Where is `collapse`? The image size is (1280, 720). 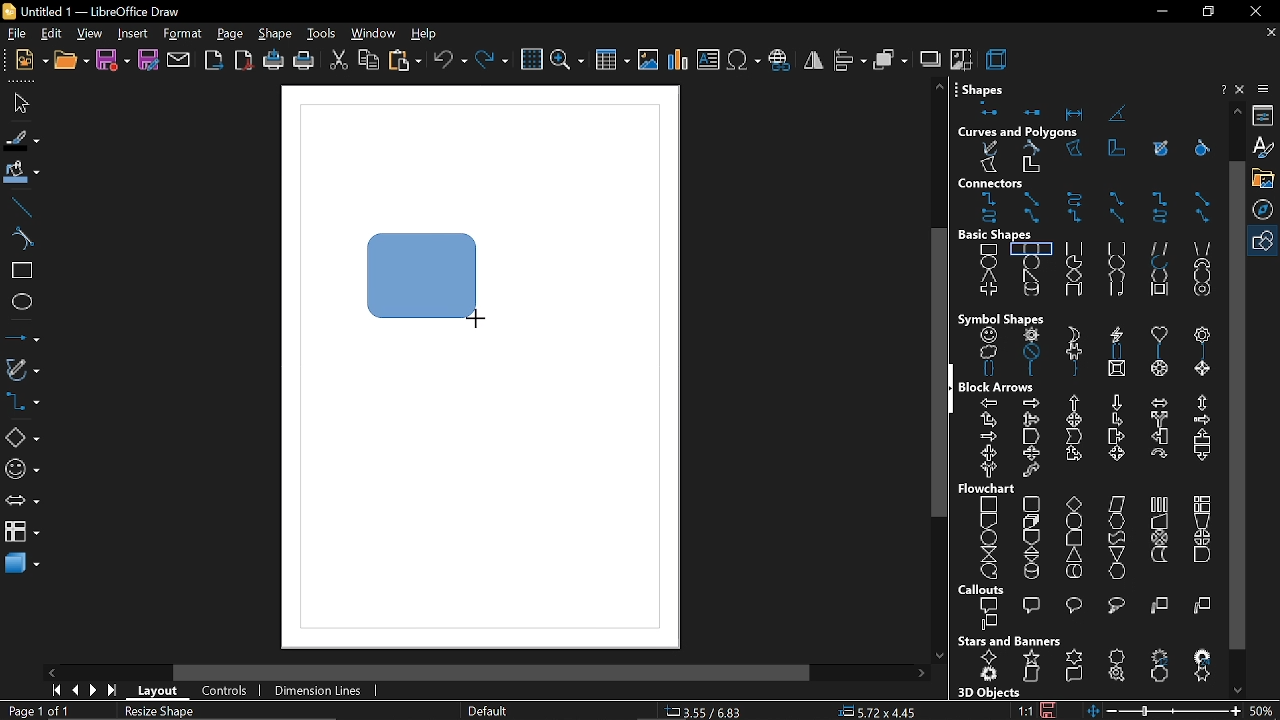 collapse is located at coordinates (954, 389).